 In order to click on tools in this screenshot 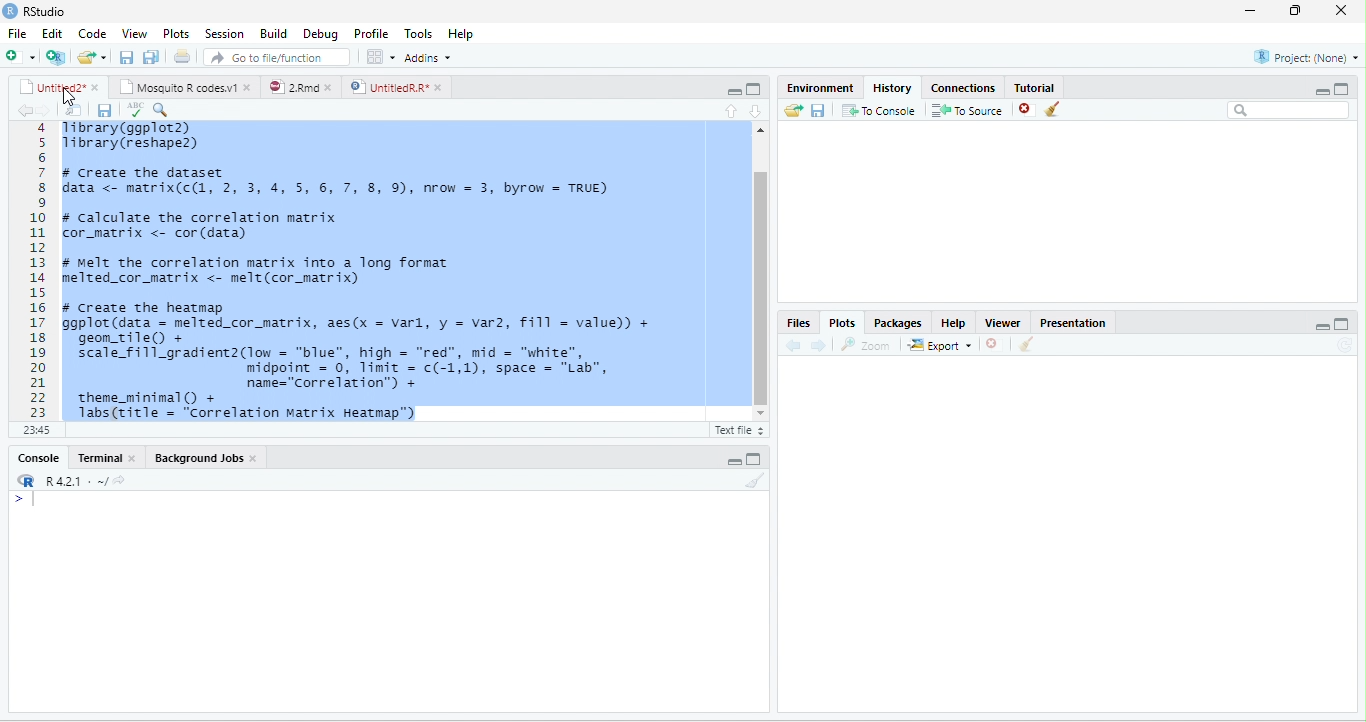, I will do `click(418, 31)`.